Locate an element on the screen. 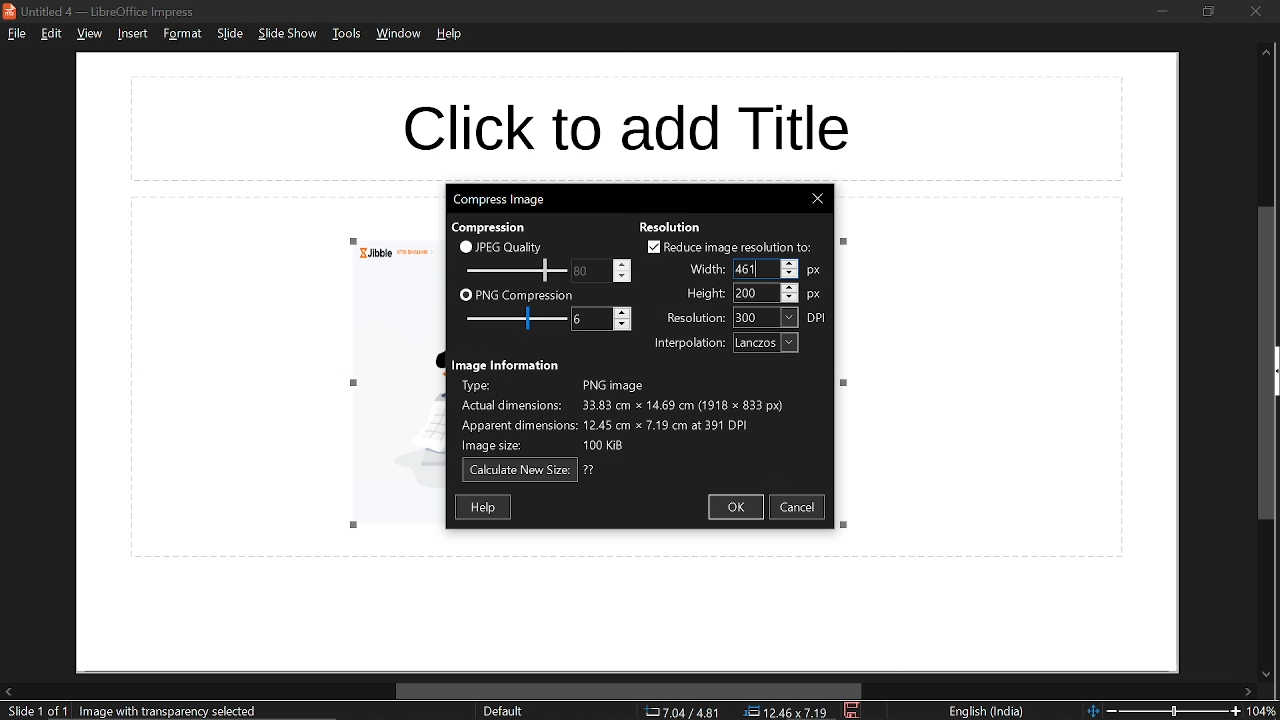 The image size is (1280, 720). current window is located at coordinates (500, 200).